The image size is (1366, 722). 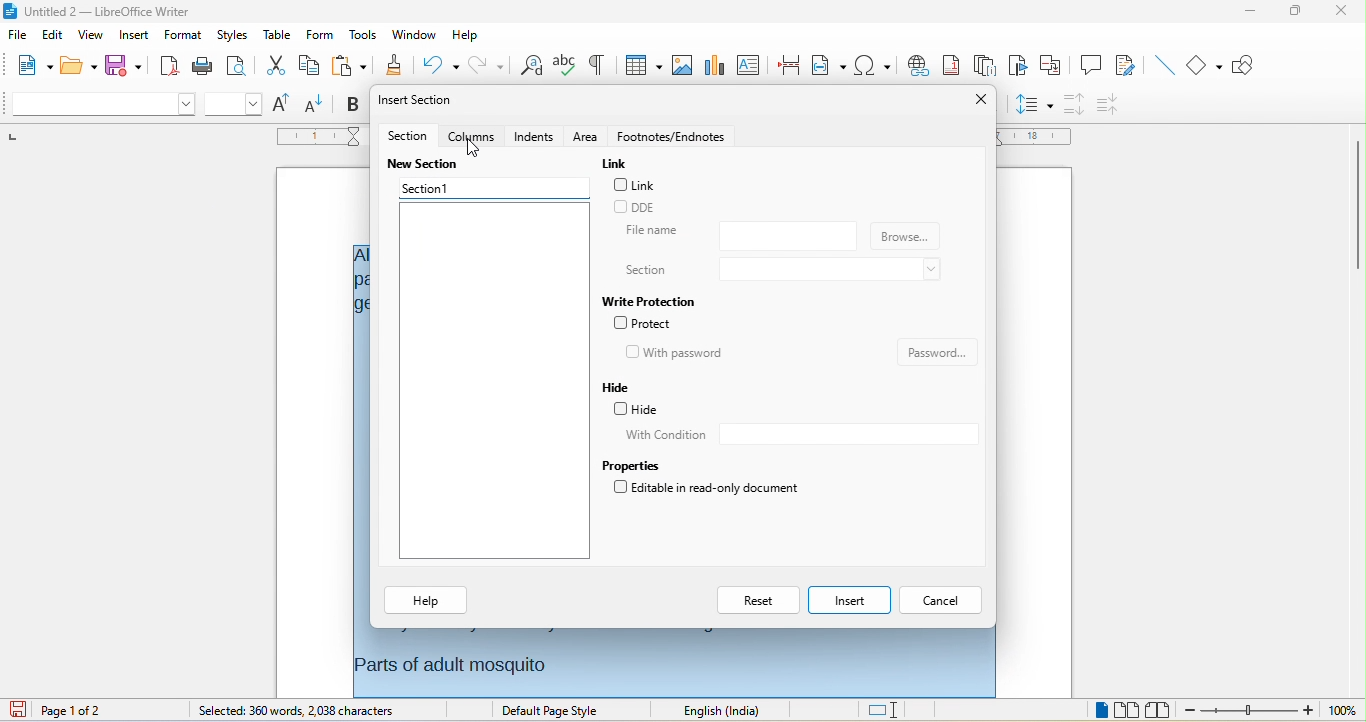 What do you see at coordinates (234, 105) in the screenshot?
I see `font size` at bounding box center [234, 105].